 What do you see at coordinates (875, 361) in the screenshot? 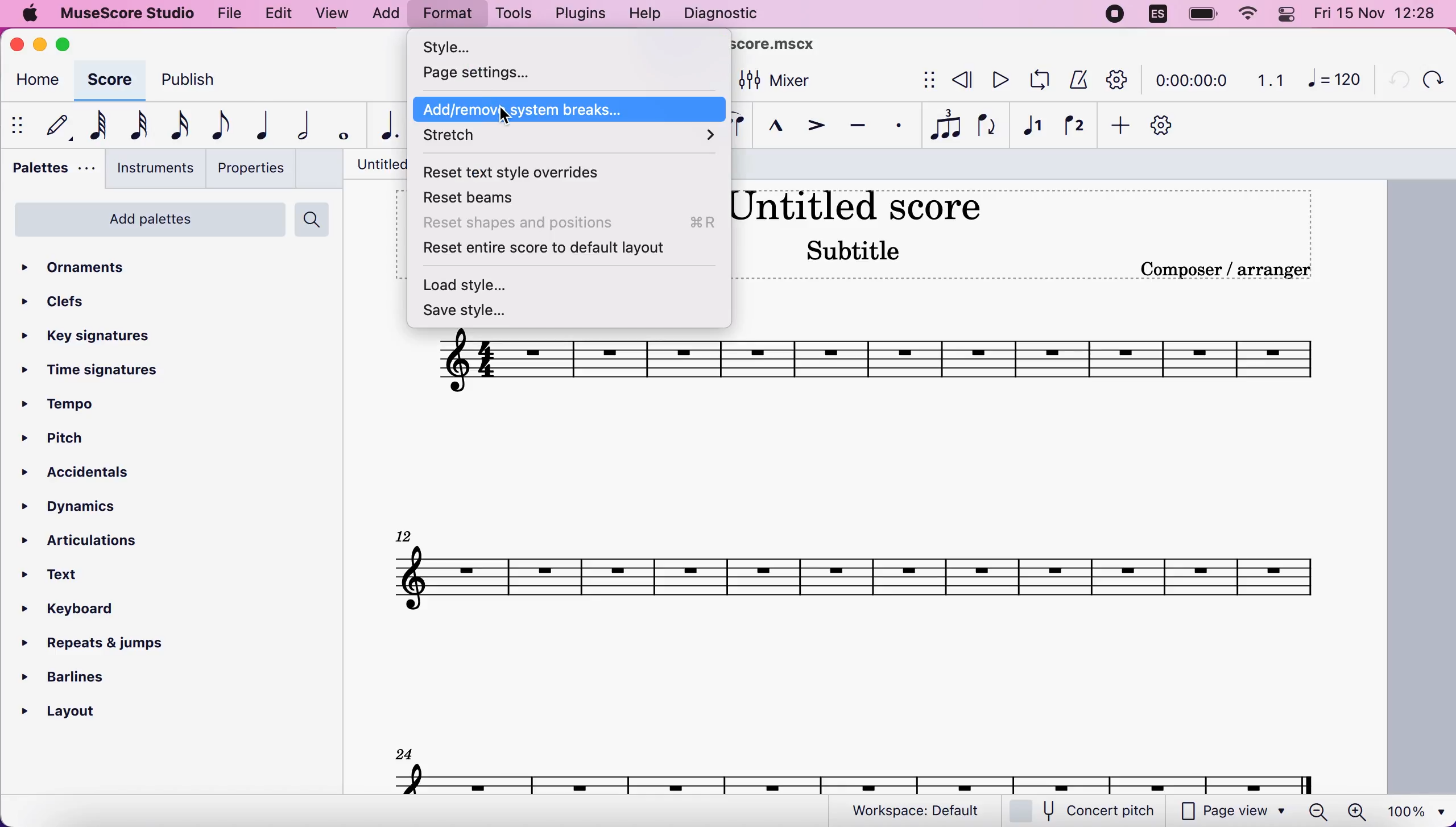
I see `score` at bounding box center [875, 361].